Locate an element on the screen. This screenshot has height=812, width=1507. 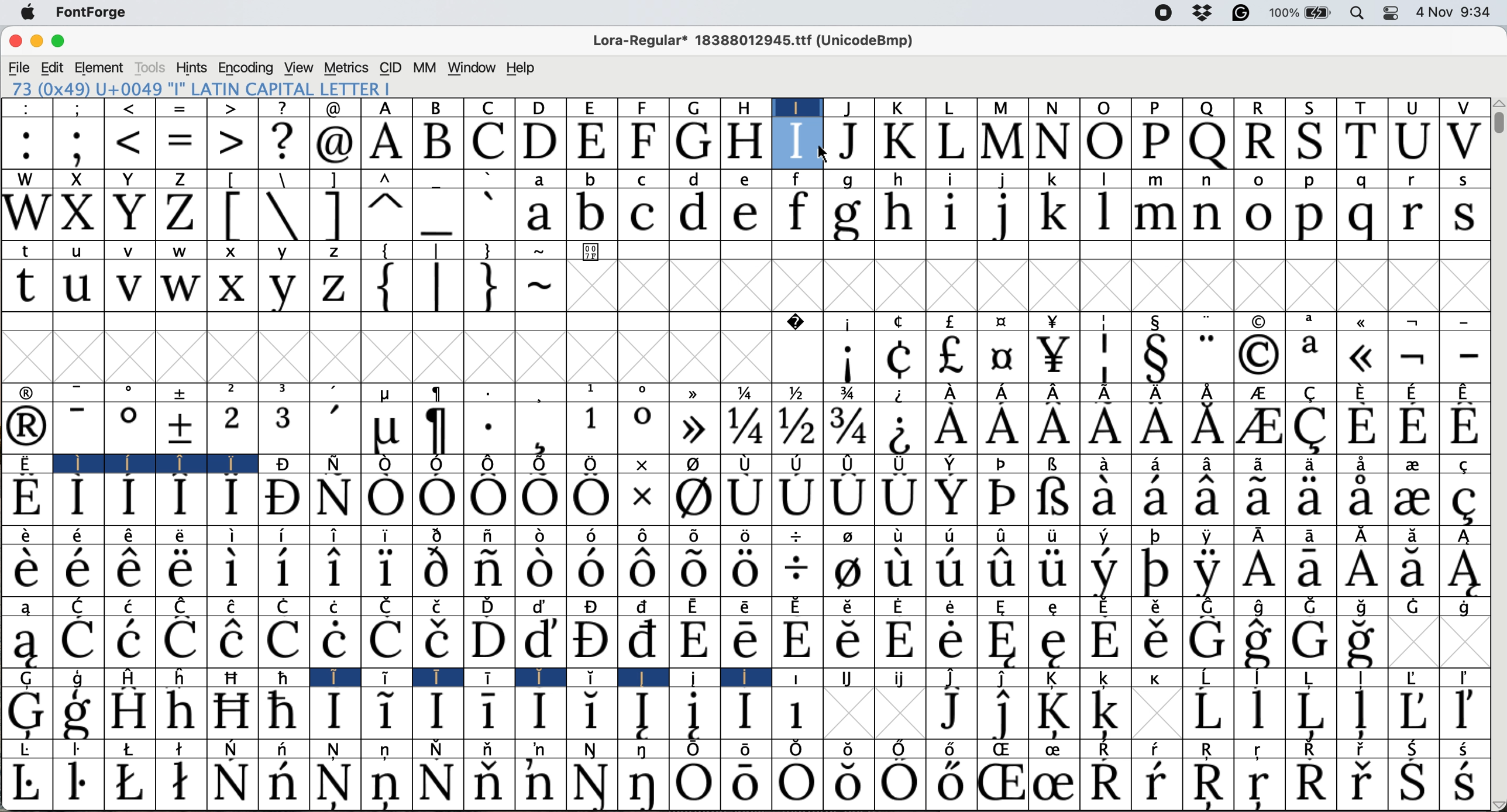
} is located at coordinates (487, 286).